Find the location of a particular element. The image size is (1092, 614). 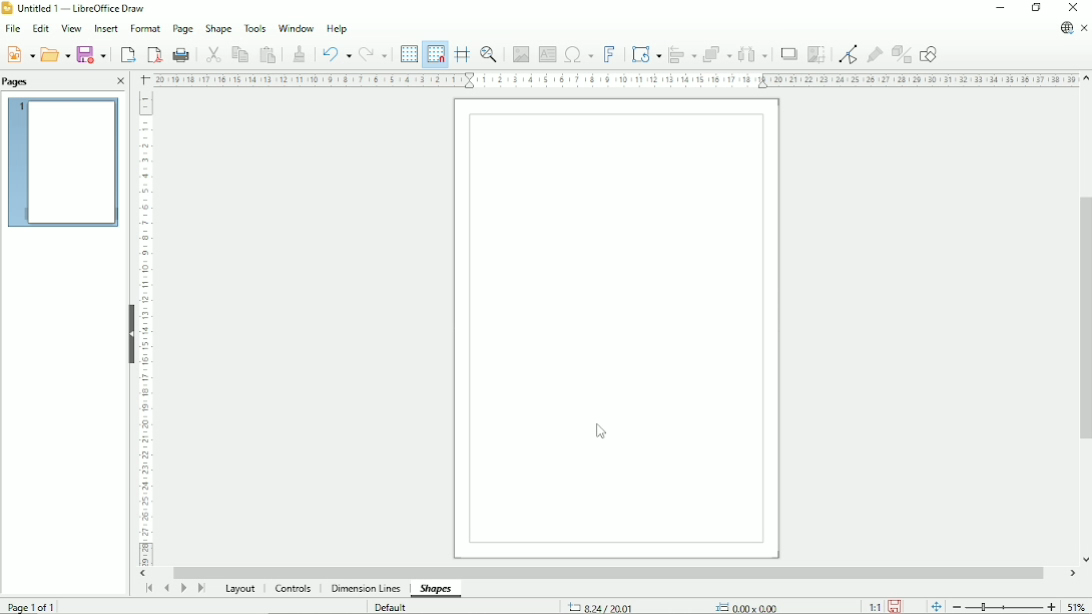

Undo is located at coordinates (335, 52).